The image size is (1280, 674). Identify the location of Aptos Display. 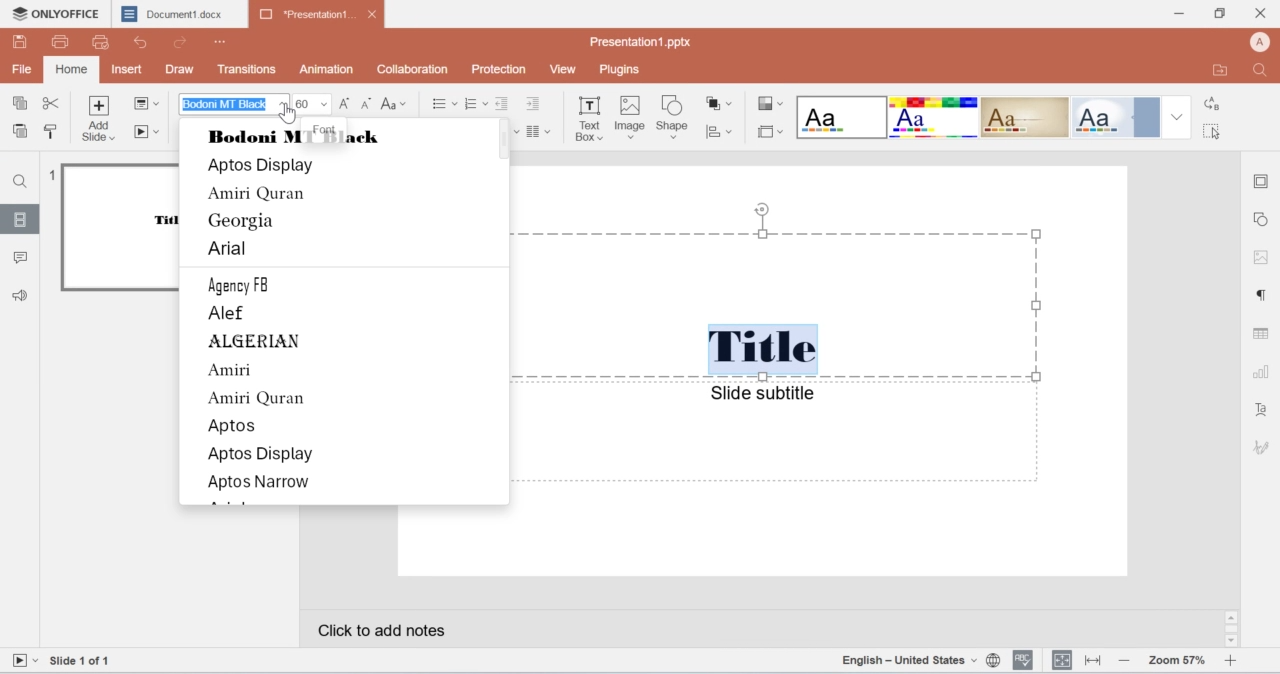
(265, 167).